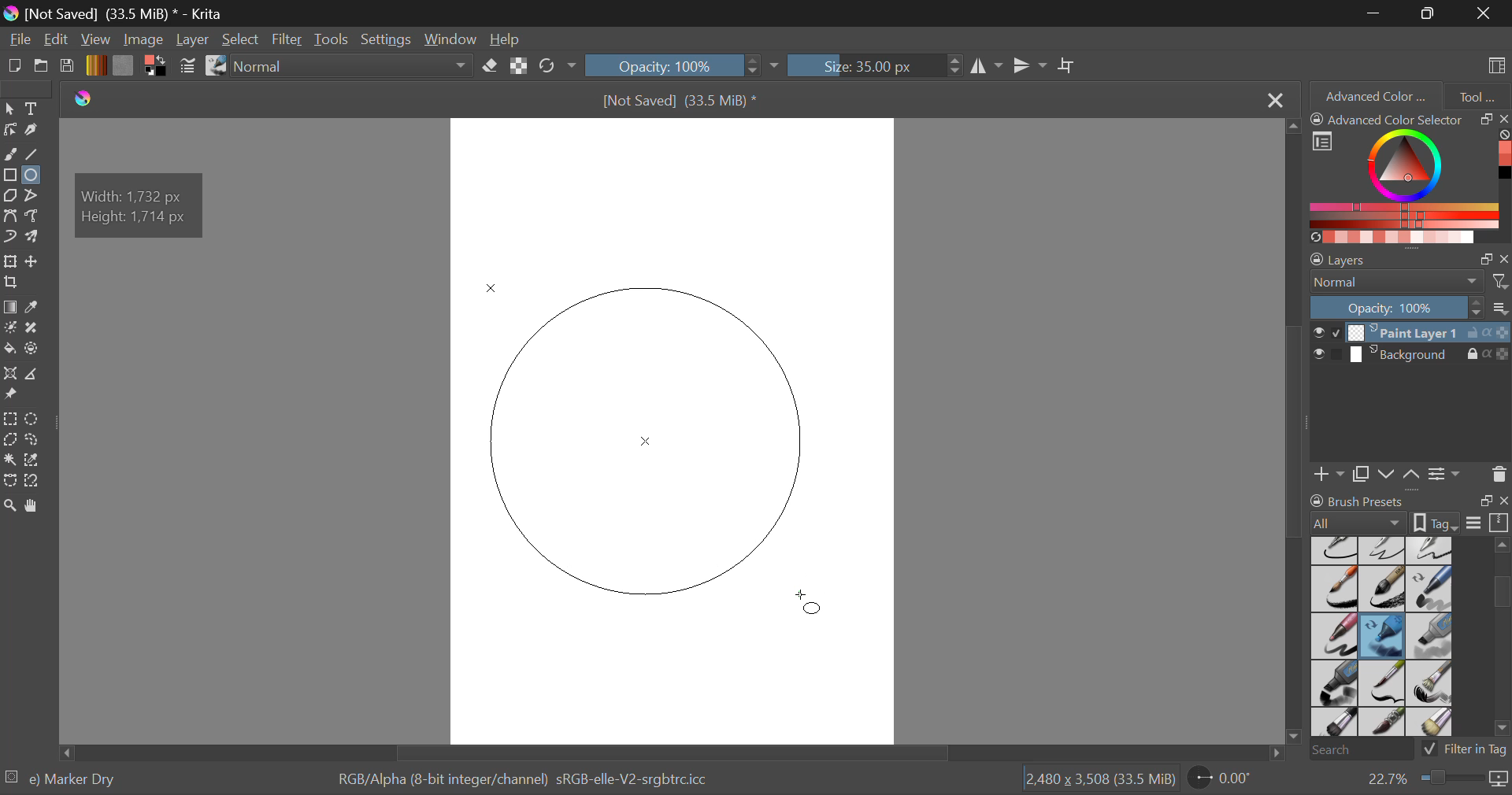 Image resolution: width=1512 pixels, height=795 pixels. Describe the element at coordinates (1410, 177) in the screenshot. I see `Advanced Color Selector` at that location.